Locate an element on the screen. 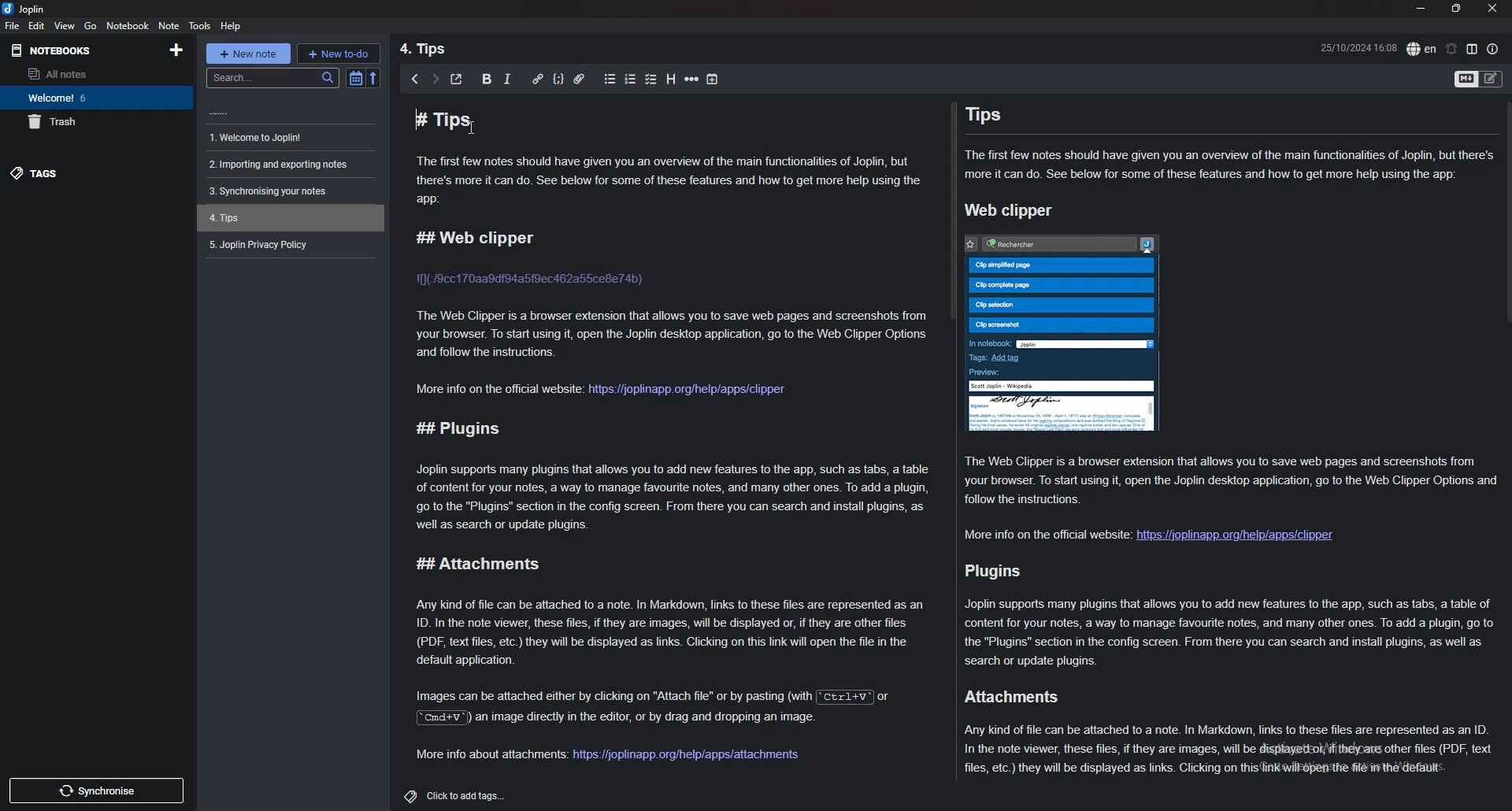 The image size is (1512, 811). note is located at coordinates (169, 25).